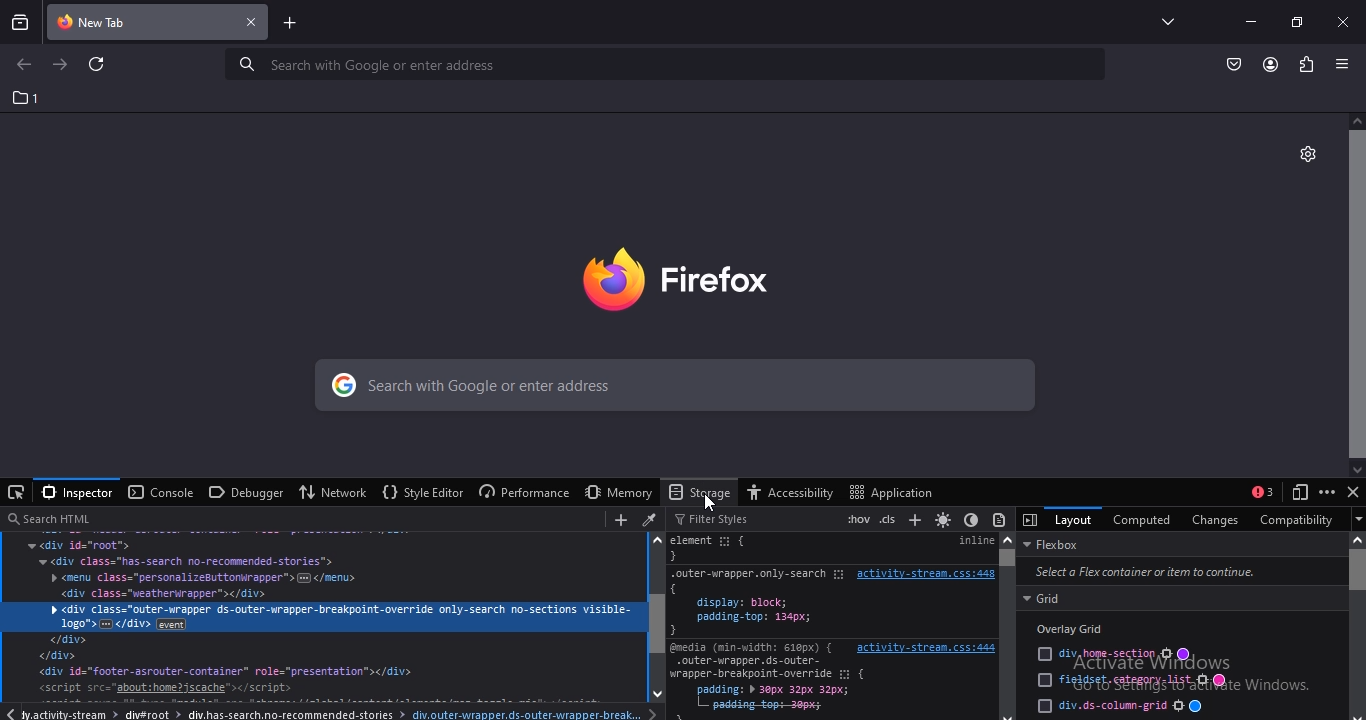 The width and height of the screenshot is (1366, 720). Describe the element at coordinates (889, 518) in the screenshot. I see `toggle classes` at that location.